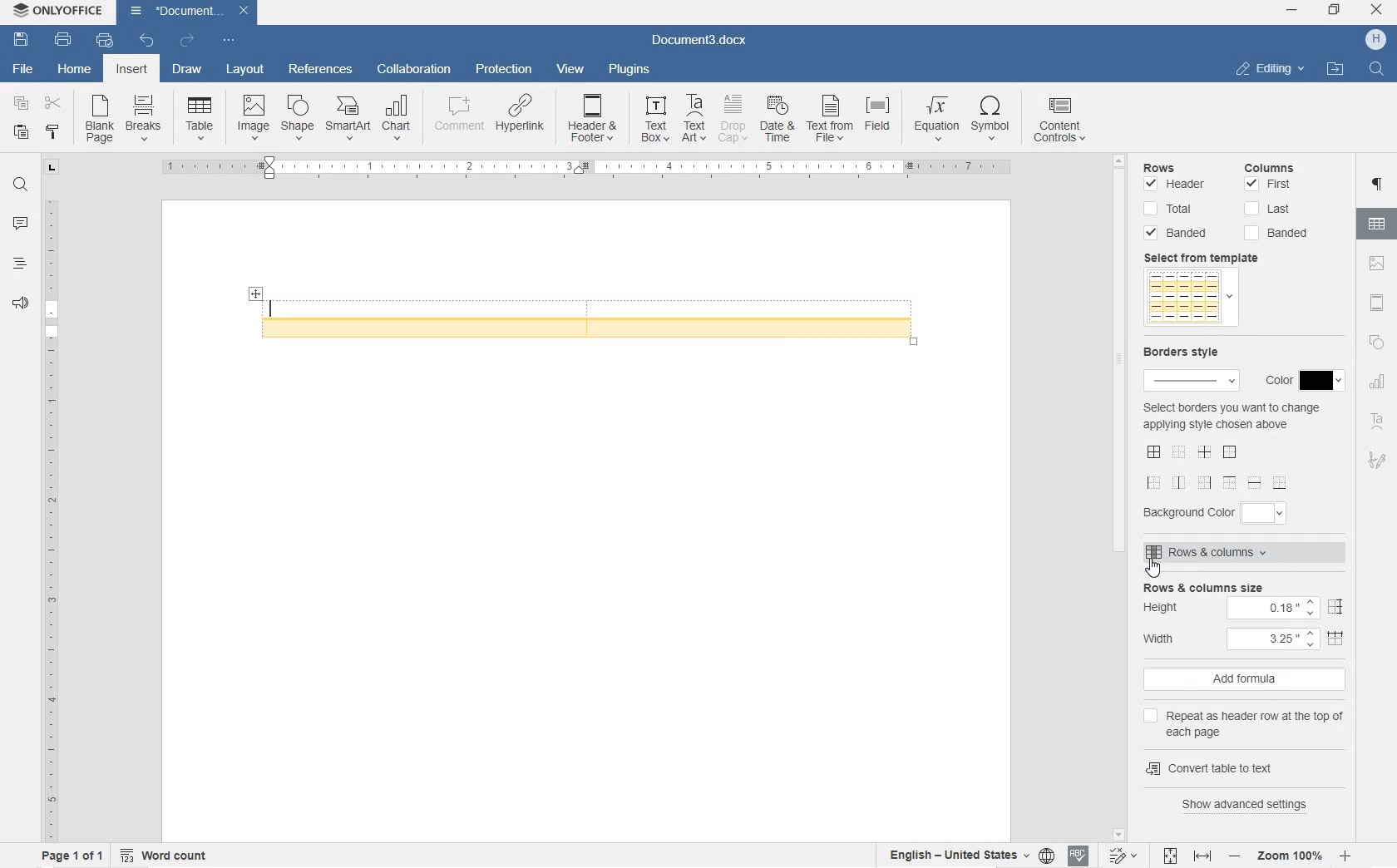 The width and height of the screenshot is (1397, 868). What do you see at coordinates (1189, 365) in the screenshot?
I see `Border Style` at bounding box center [1189, 365].